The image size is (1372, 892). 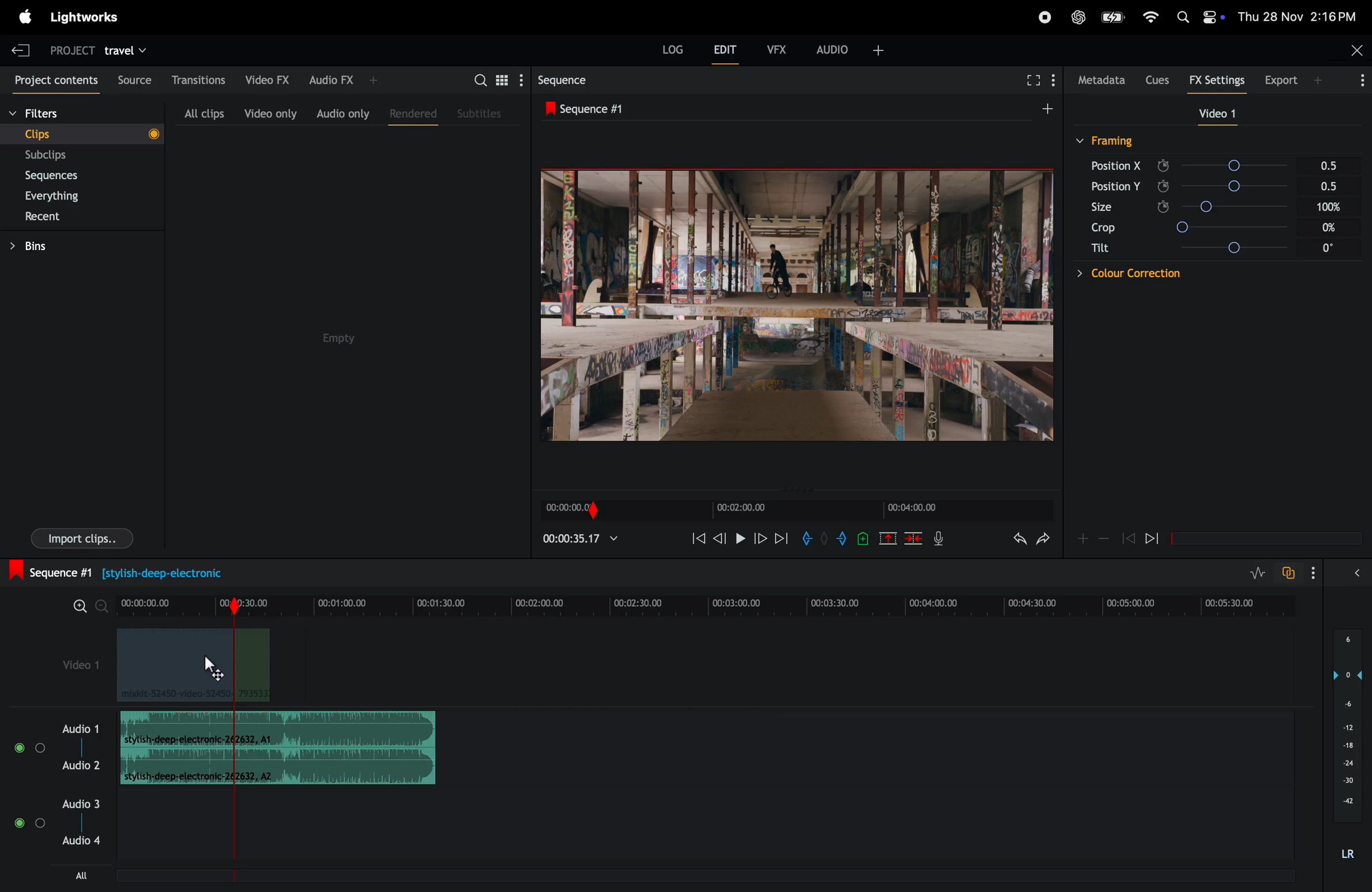 What do you see at coordinates (409, 111) in the screenshot?
I see `rendered` at bounding box center [409, 111].